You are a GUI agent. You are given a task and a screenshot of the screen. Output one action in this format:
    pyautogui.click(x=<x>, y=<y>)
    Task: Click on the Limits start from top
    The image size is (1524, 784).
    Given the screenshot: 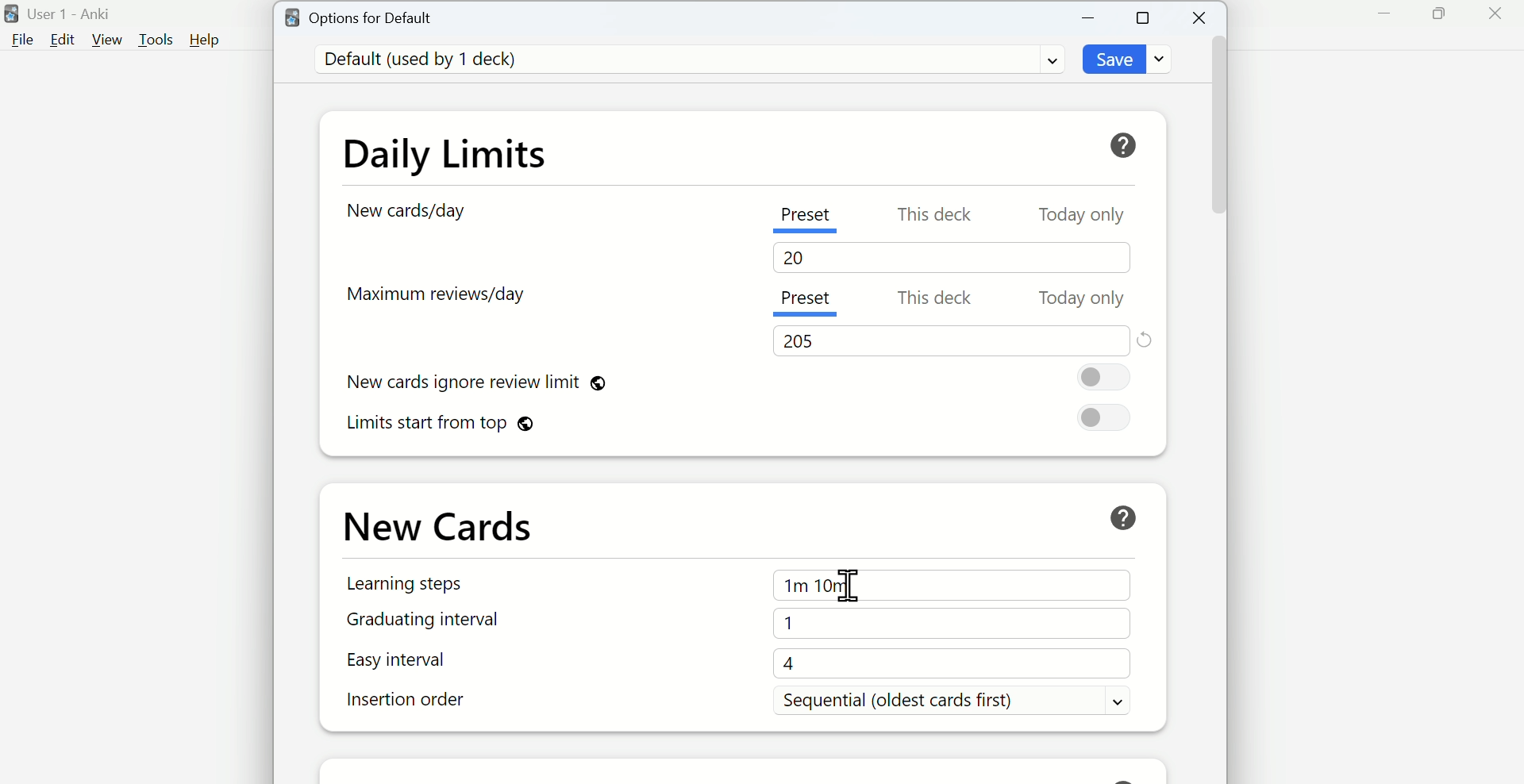 What is the action you would take?
    pyautogui.click(x=441, y=425)
    